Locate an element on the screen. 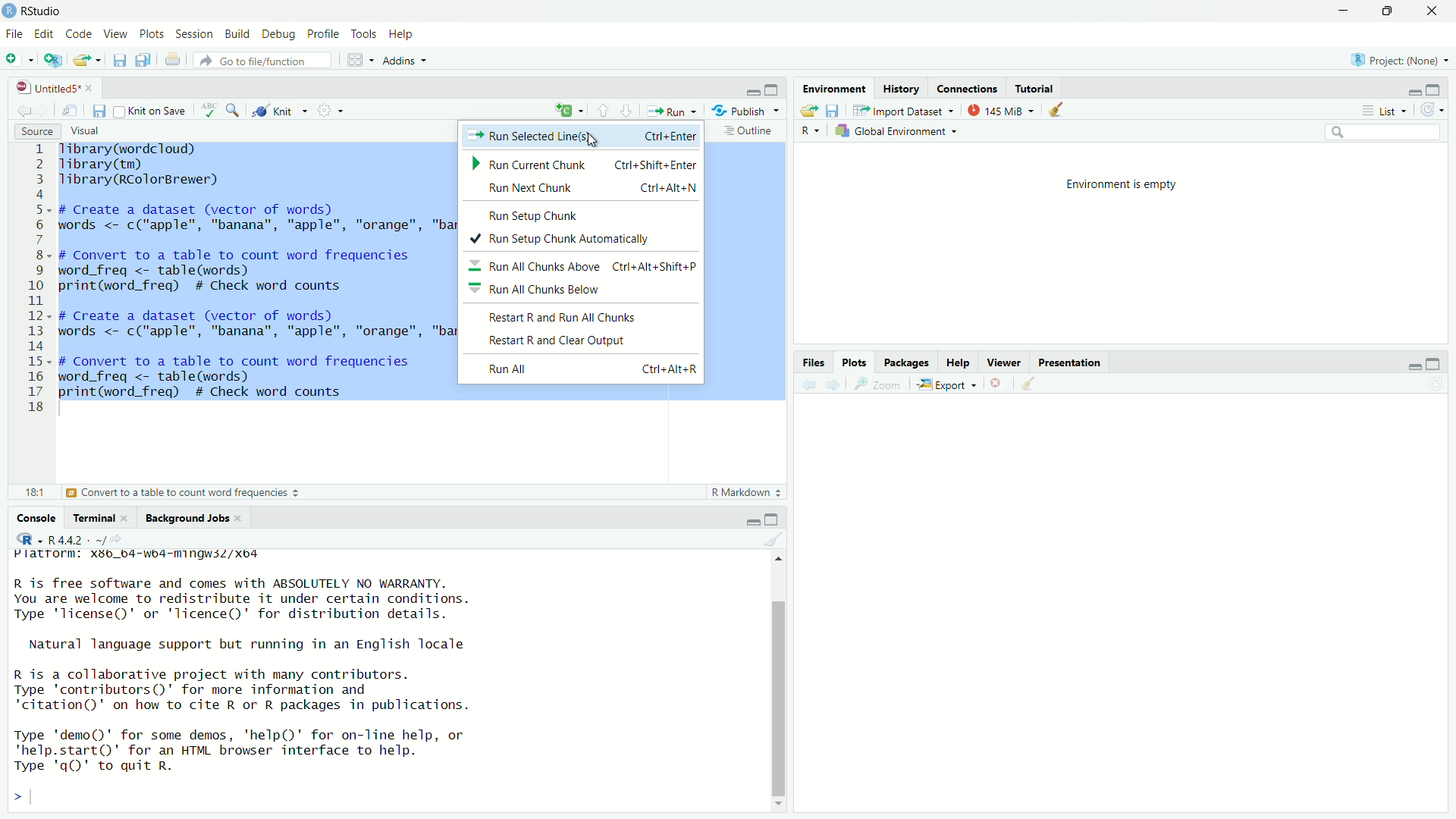 This screenshot has height=819, width=1456. Global Environment is located at coordinates (895, 133).